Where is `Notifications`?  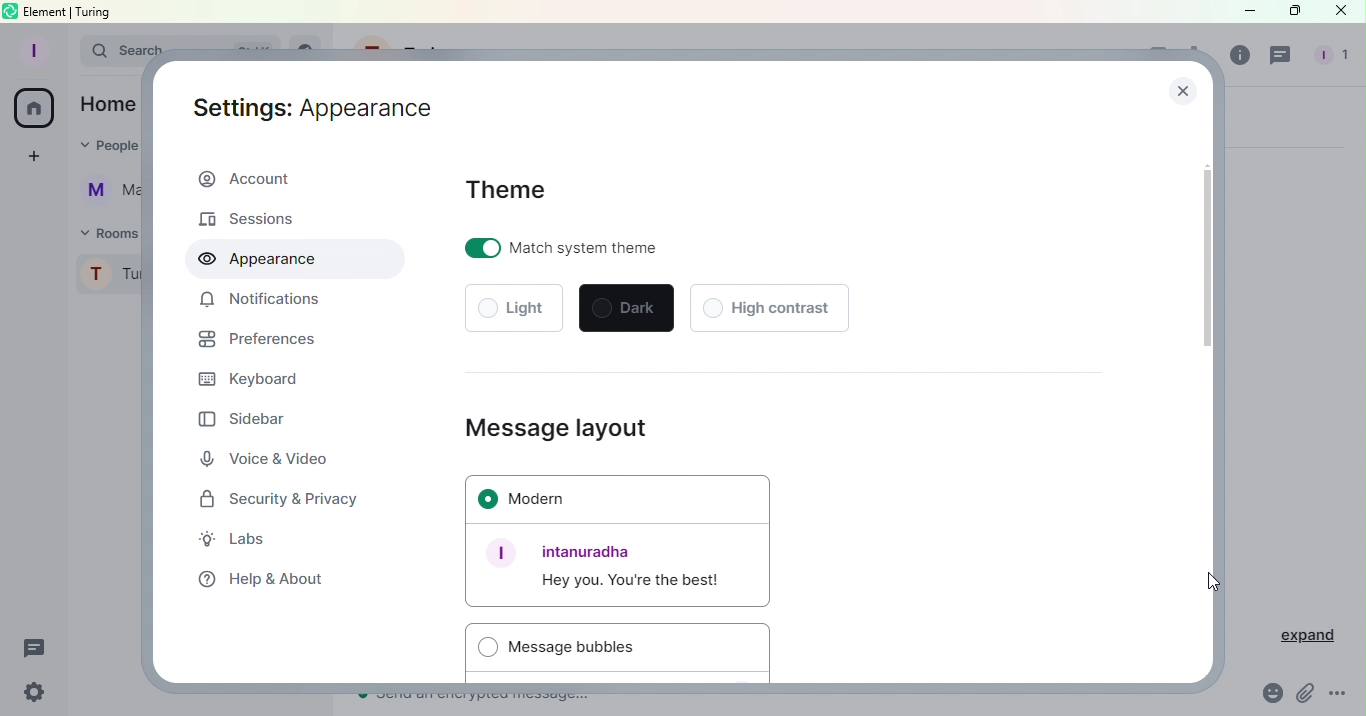
Notifications is located at coordinates (256, 301).